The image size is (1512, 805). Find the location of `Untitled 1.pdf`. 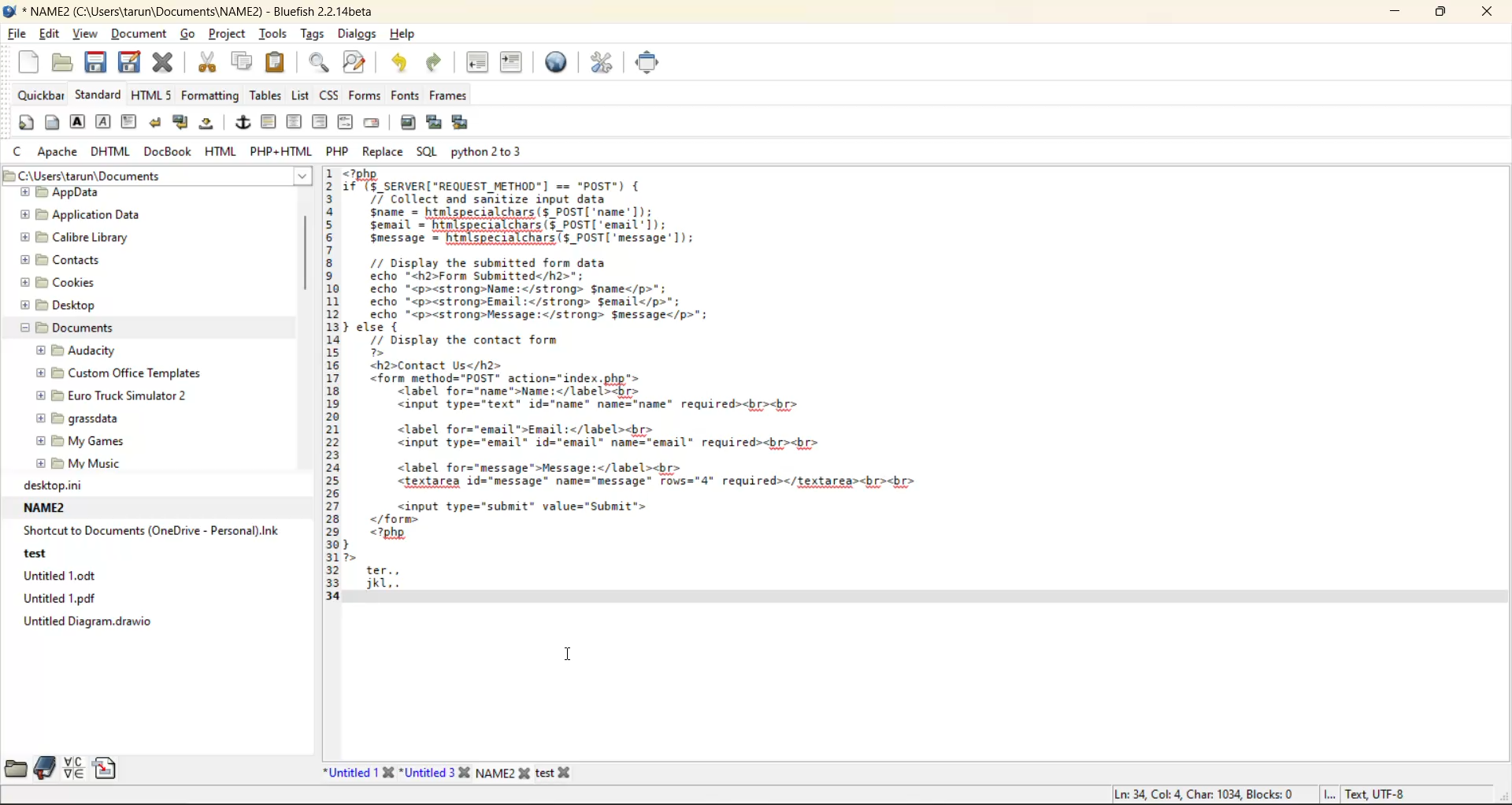

Untitled 1.pdf is located at coordinates (57, 600).